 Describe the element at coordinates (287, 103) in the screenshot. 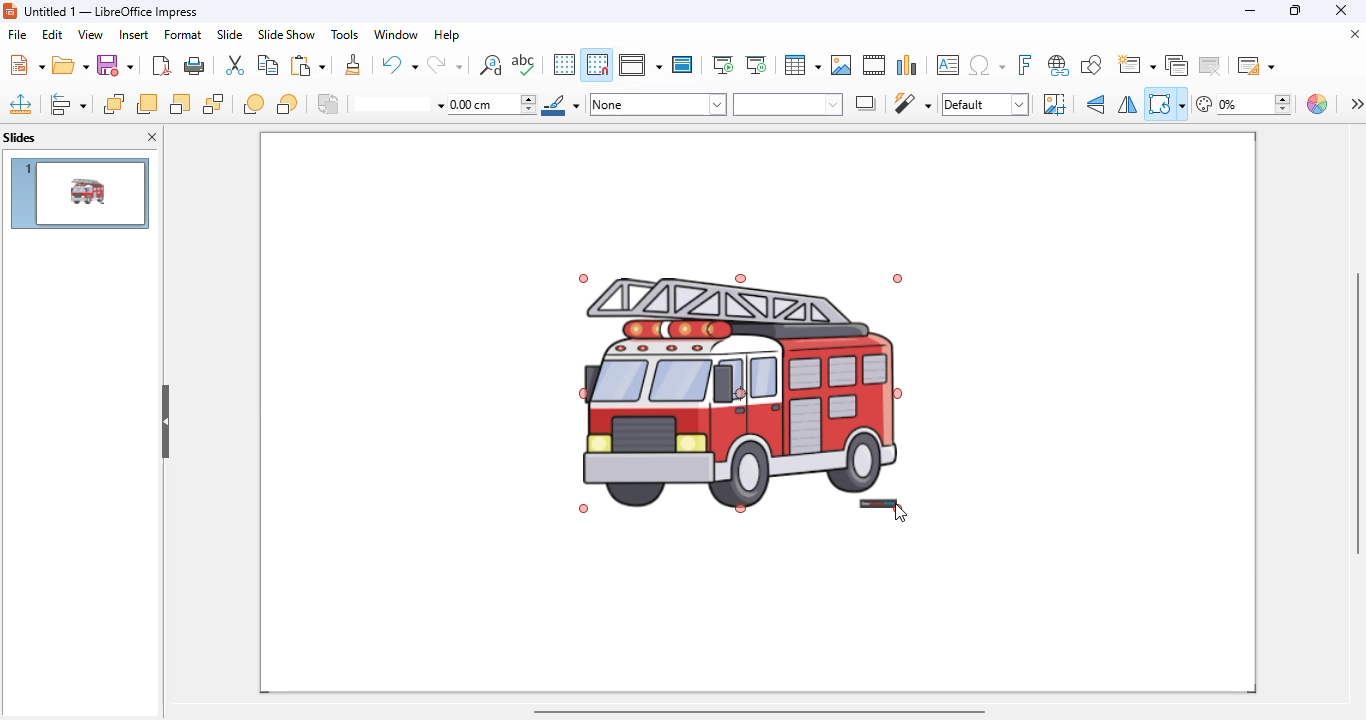

I see `behind objects` at that location.